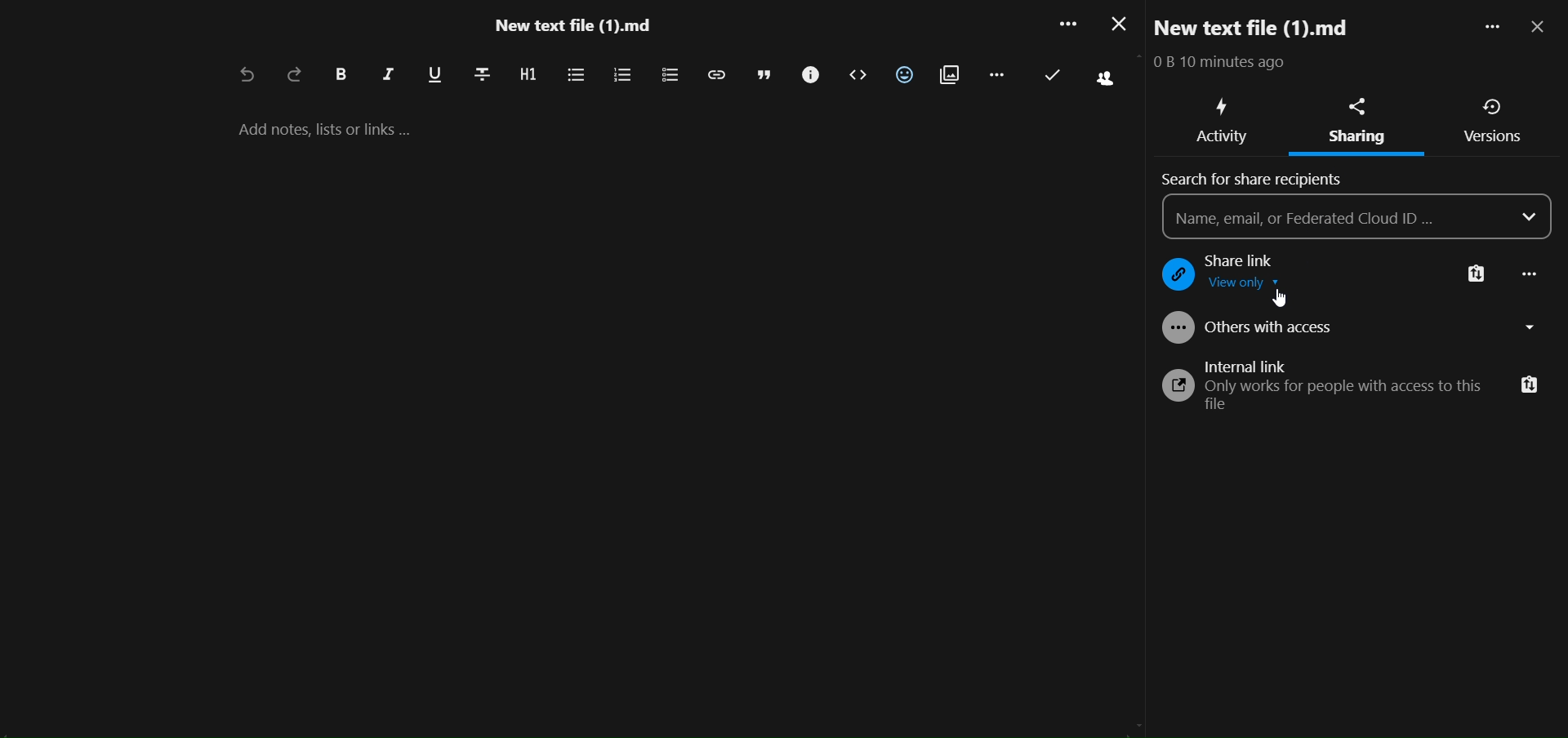 The image size is (1568, 738). I want to click on sharing, so click(1356, 138).